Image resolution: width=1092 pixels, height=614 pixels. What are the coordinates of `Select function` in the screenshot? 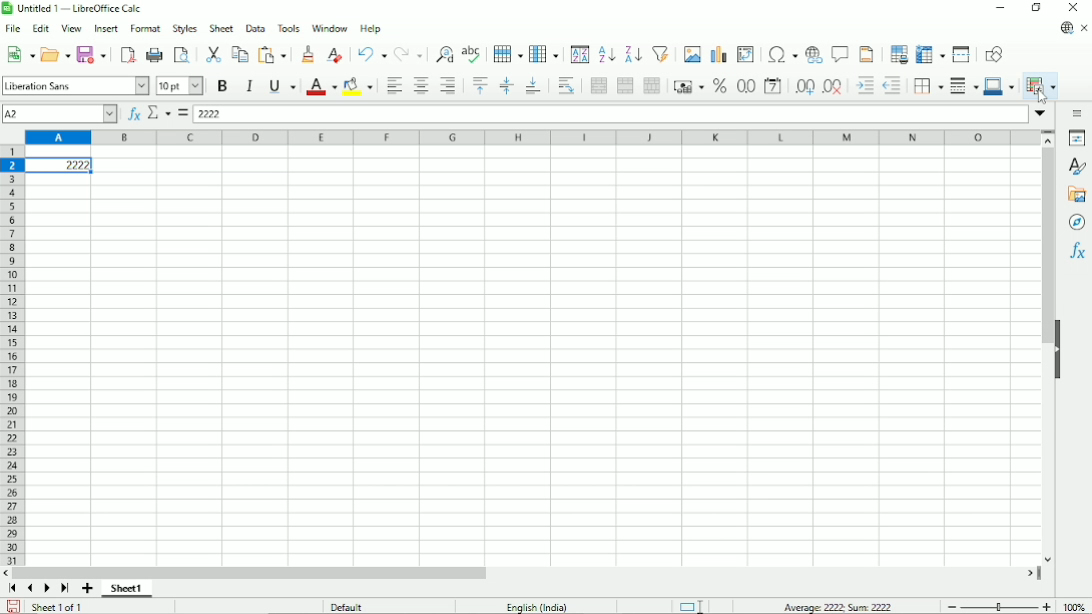 It's located at (159, 112).